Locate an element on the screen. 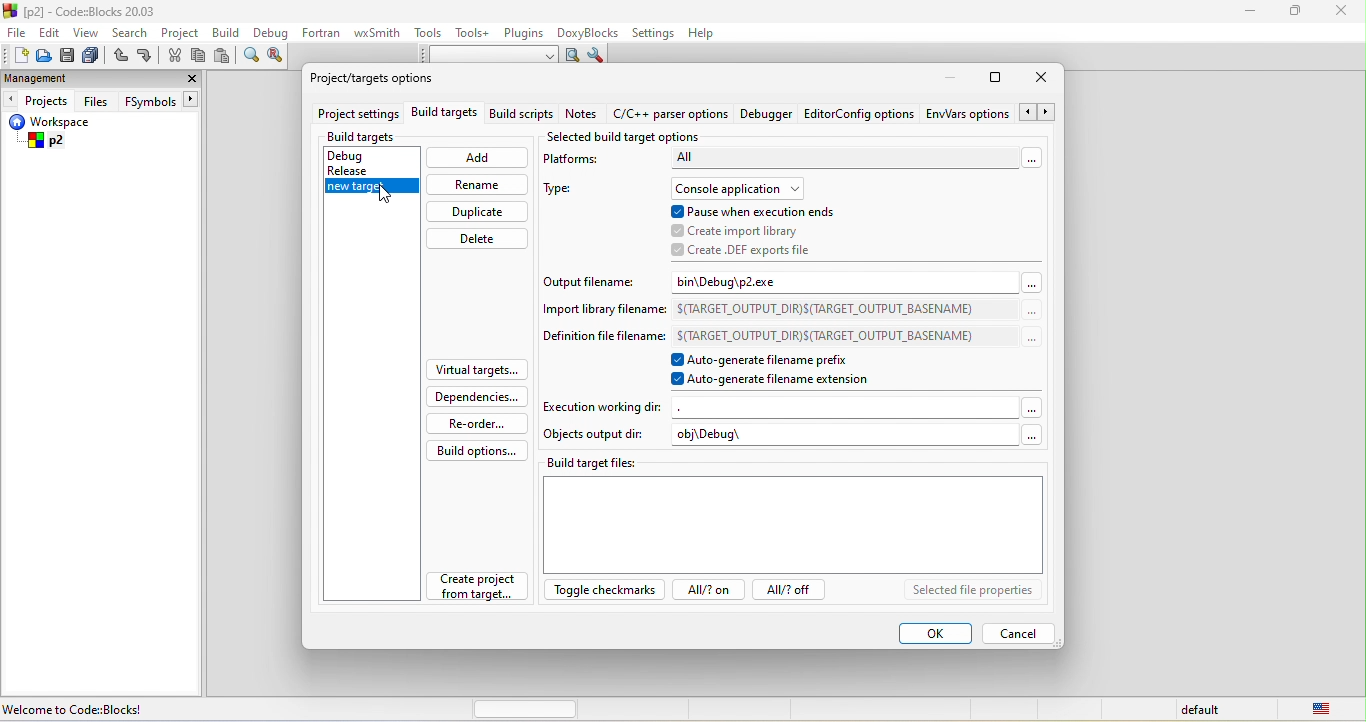 The width and height of the screenshot is (1366, 722). obj\debug\ is located at coordinates (857, 437).